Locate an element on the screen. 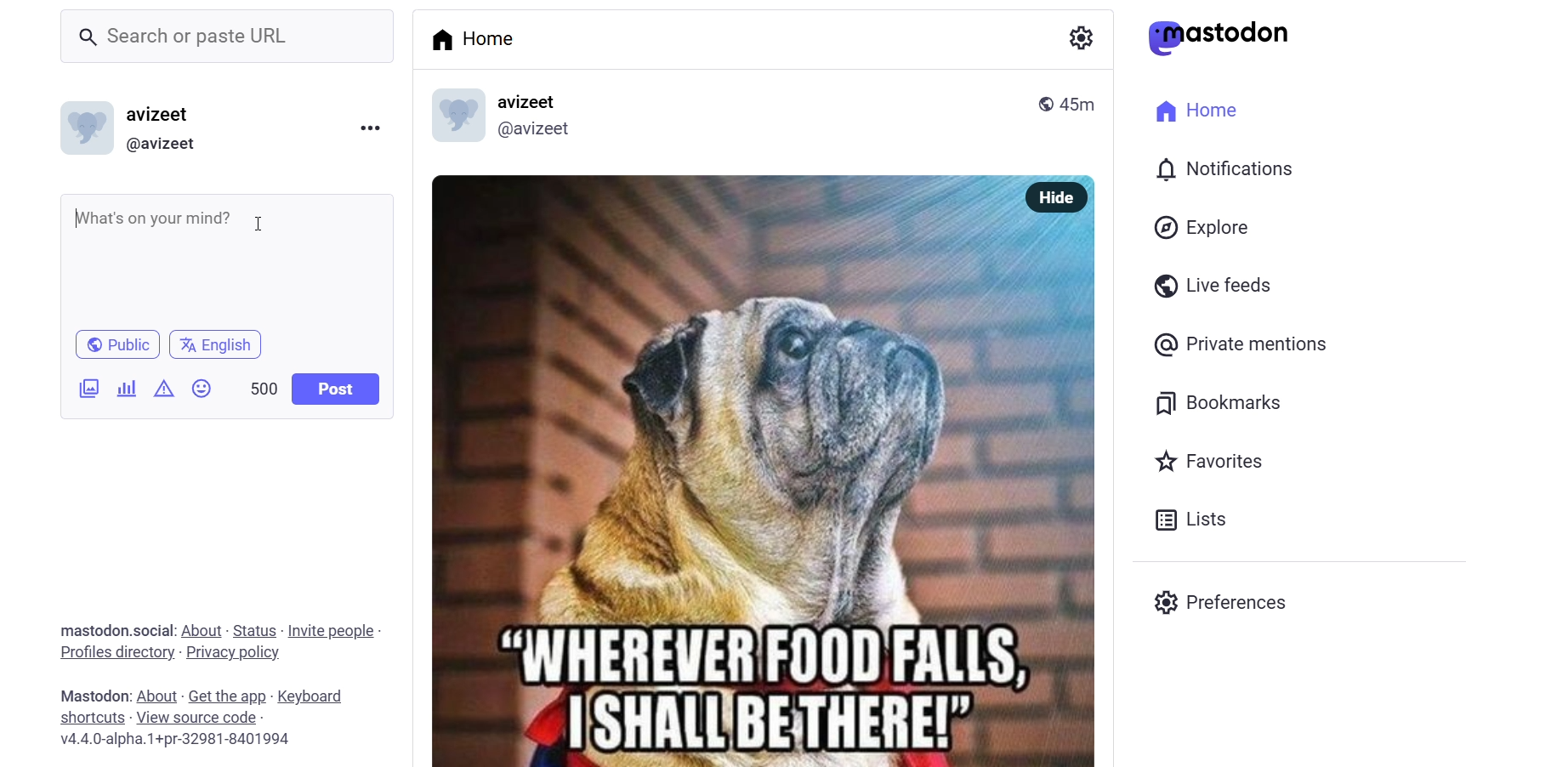  a is located at coordinates (1080, 37).